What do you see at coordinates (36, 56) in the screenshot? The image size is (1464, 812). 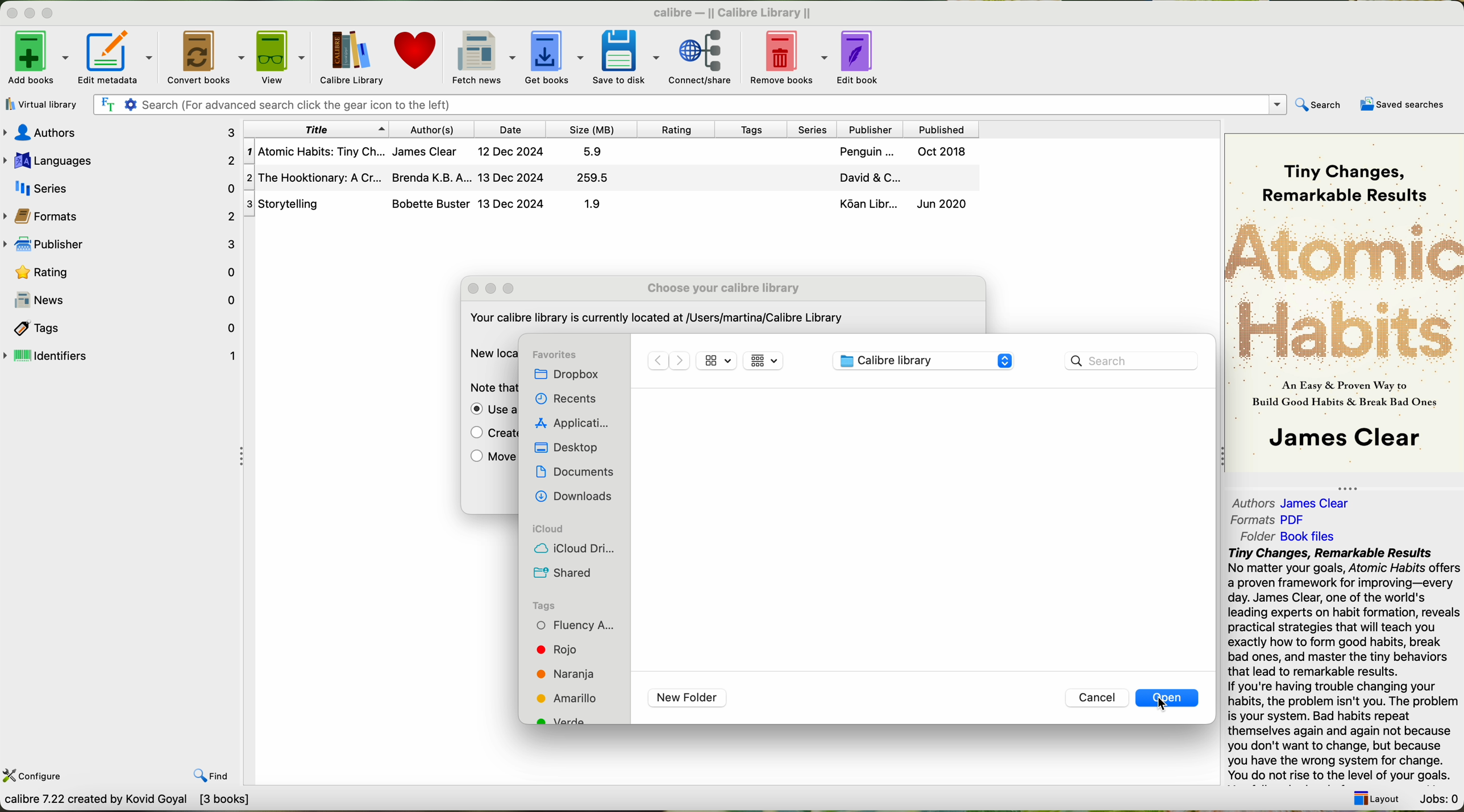 I see `add books` at bounding box center [36, 56].